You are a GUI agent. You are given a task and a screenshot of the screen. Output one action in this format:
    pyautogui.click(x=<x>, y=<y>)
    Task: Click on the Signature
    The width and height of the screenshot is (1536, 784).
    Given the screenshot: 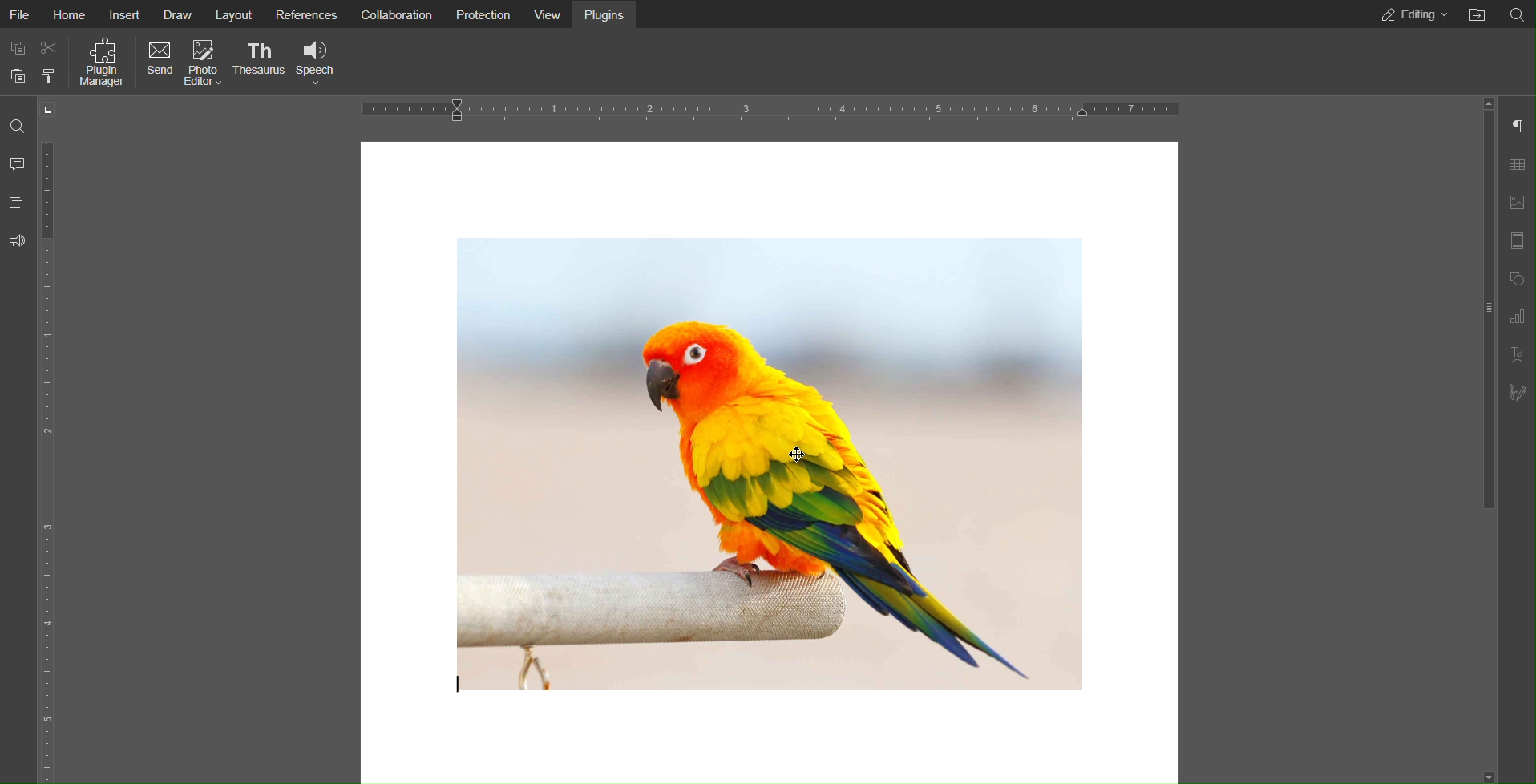 What is the action you would take?
    pyautogui.click(x=1516, y=394)
    